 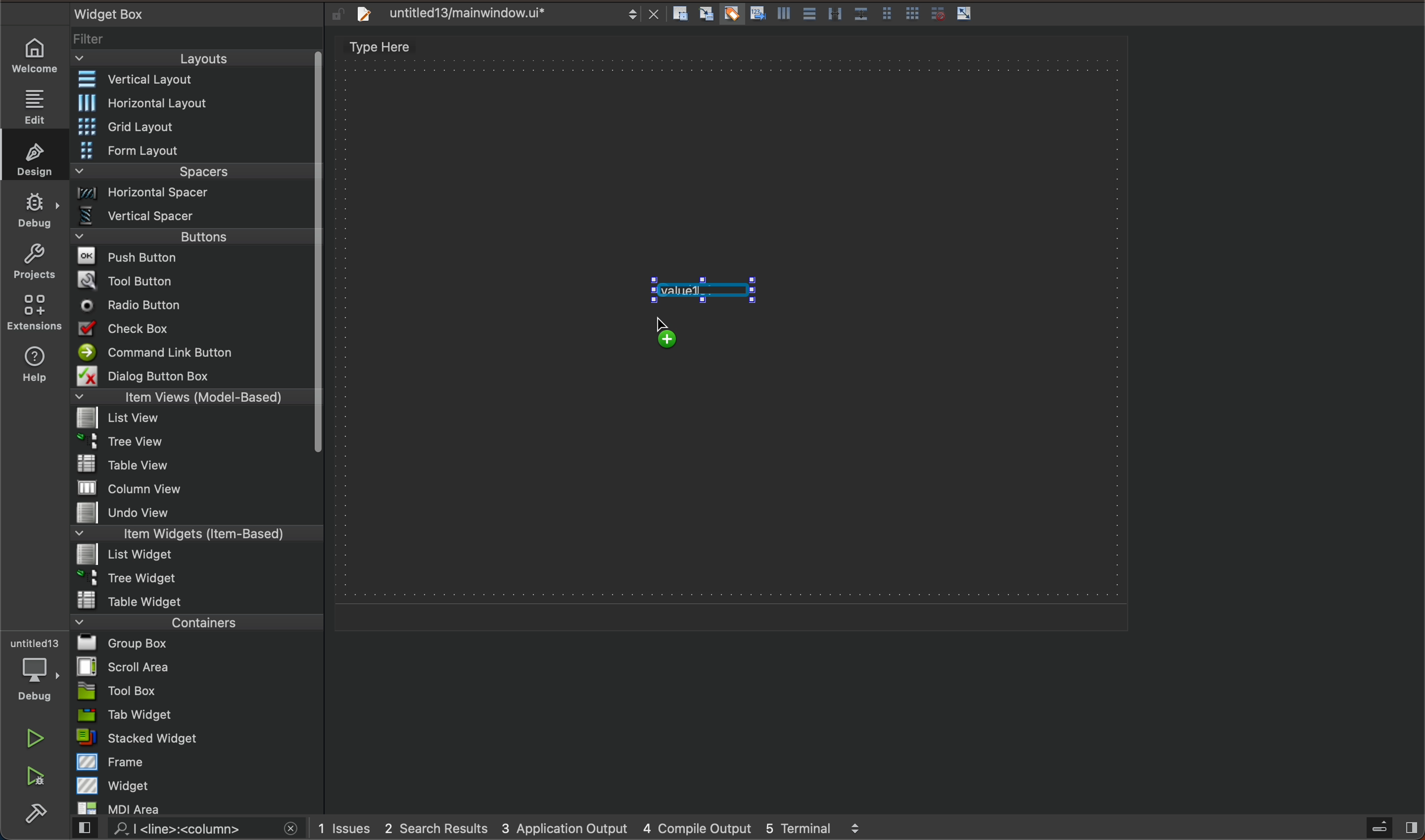 I want to click on home, so click(x=40, y=55).